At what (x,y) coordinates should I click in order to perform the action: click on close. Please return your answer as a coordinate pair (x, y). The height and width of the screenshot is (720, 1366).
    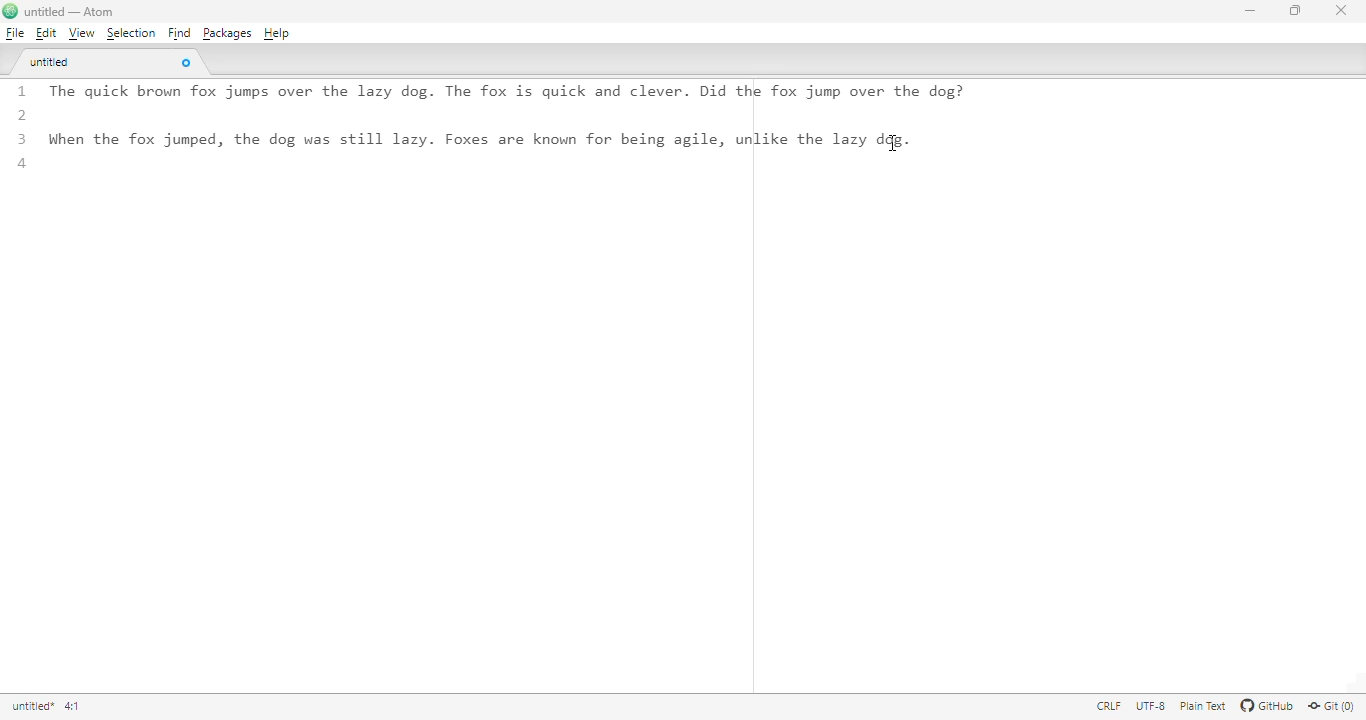
    Looking at the image, I should click on (1341, 11).